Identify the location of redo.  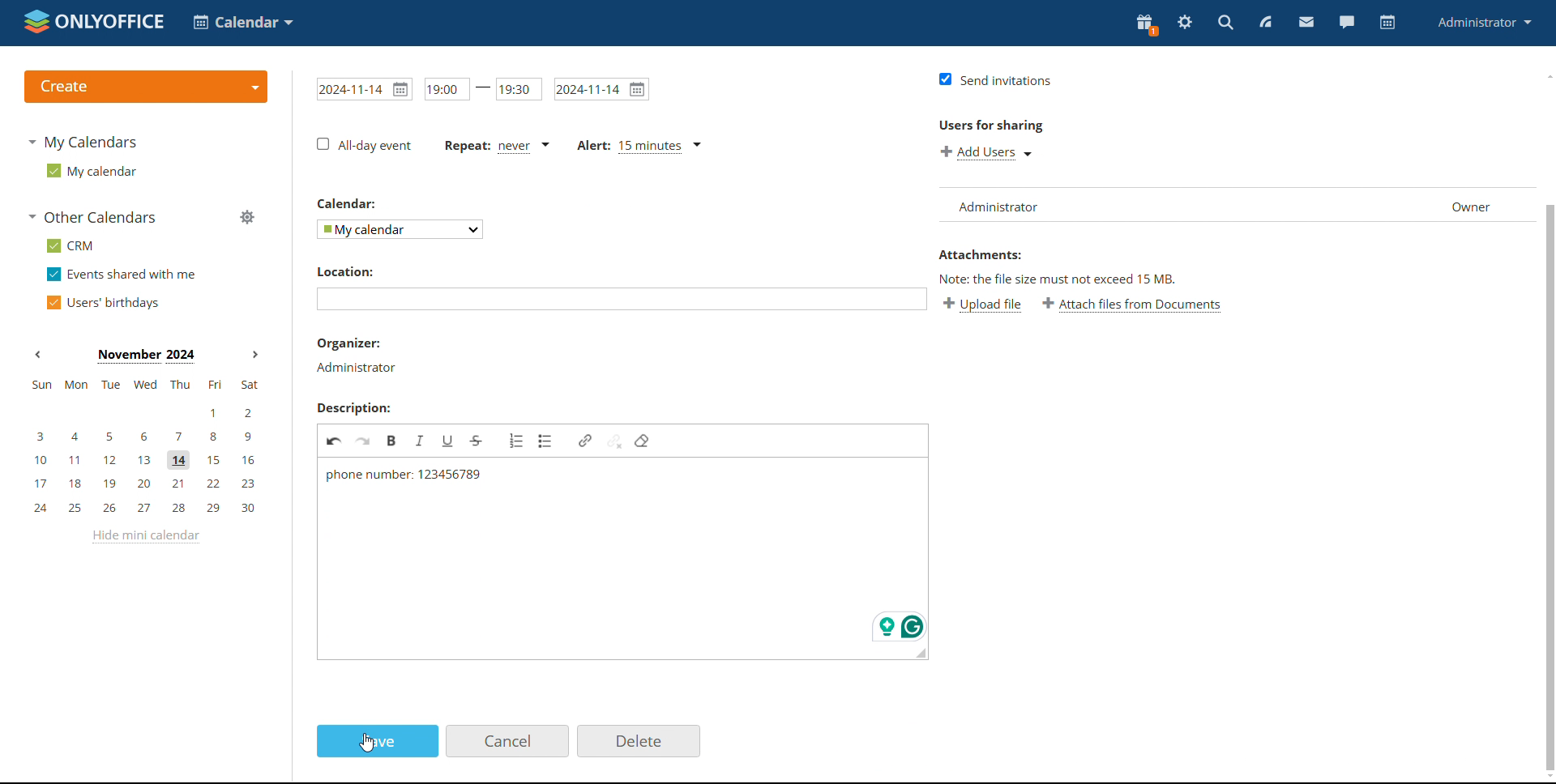
(361, 440).